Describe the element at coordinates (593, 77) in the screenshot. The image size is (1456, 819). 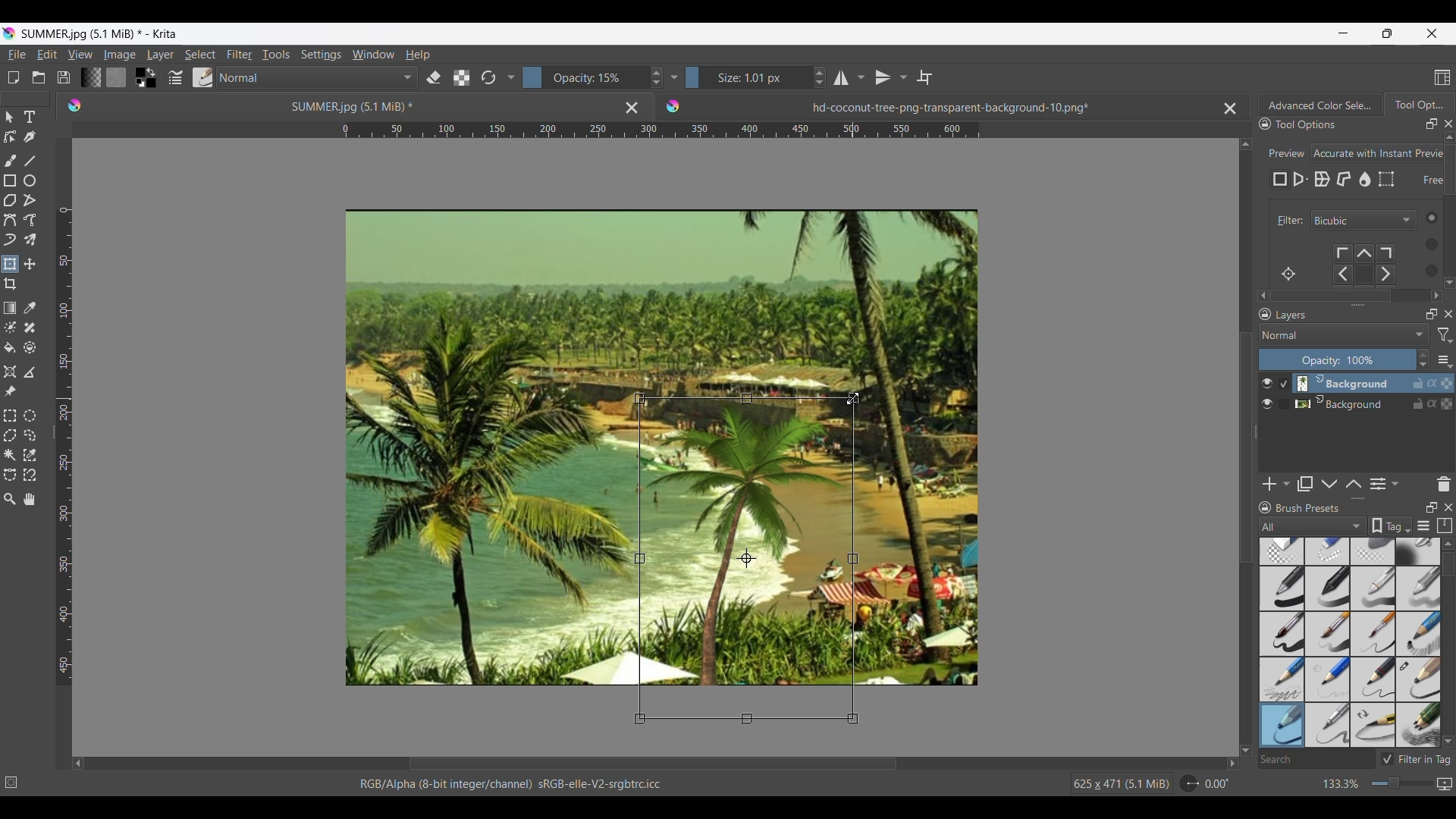
I see `Increase/Decrease opacity` at that location.